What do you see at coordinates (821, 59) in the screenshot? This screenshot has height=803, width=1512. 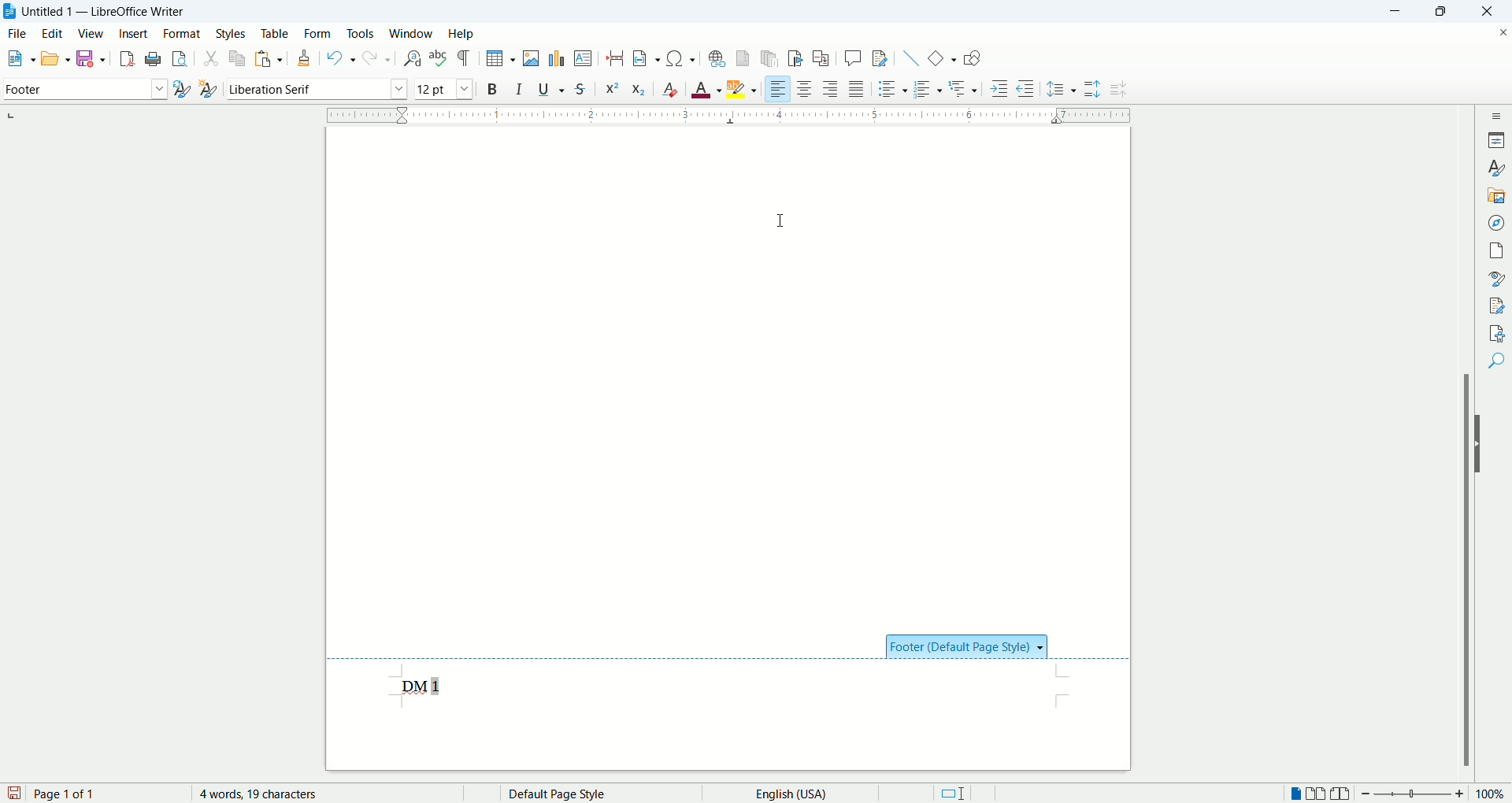 I see `insert cross references` at bounding box center [821, 59].